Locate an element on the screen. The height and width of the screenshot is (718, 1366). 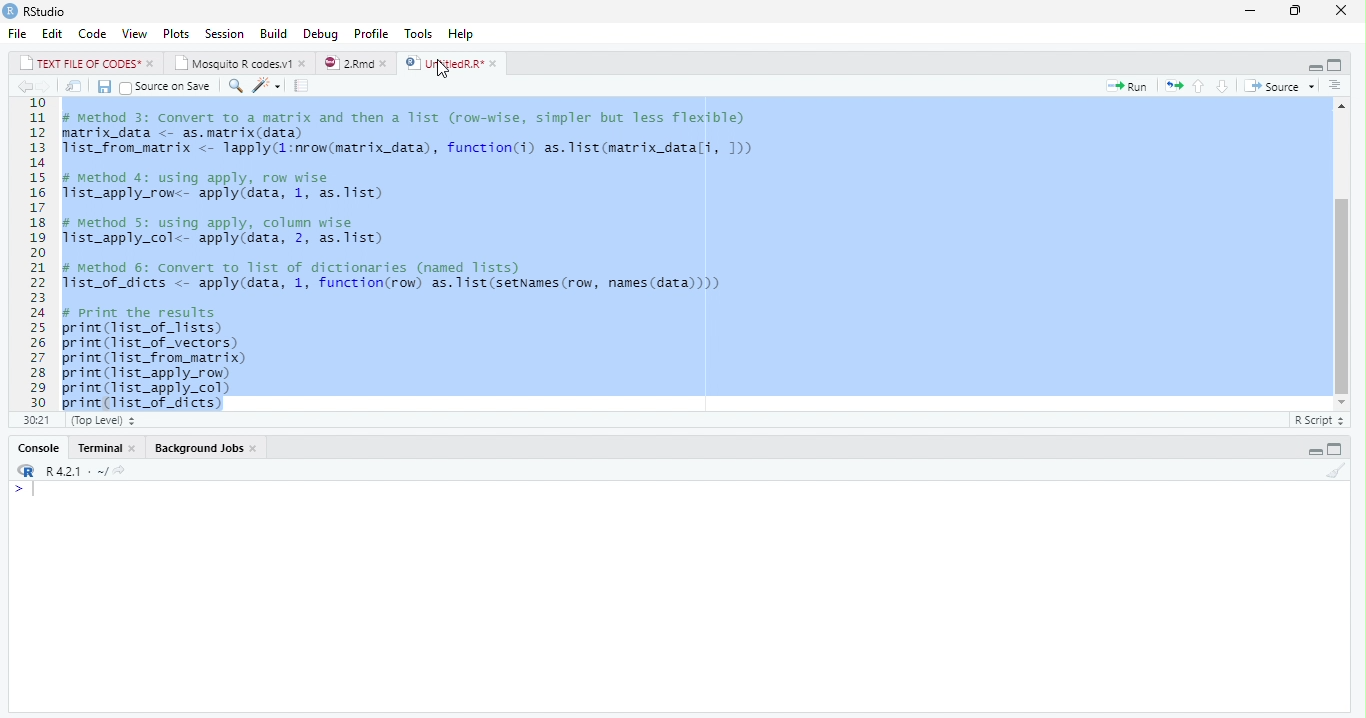
compile report is located at coordinates (304, 85).